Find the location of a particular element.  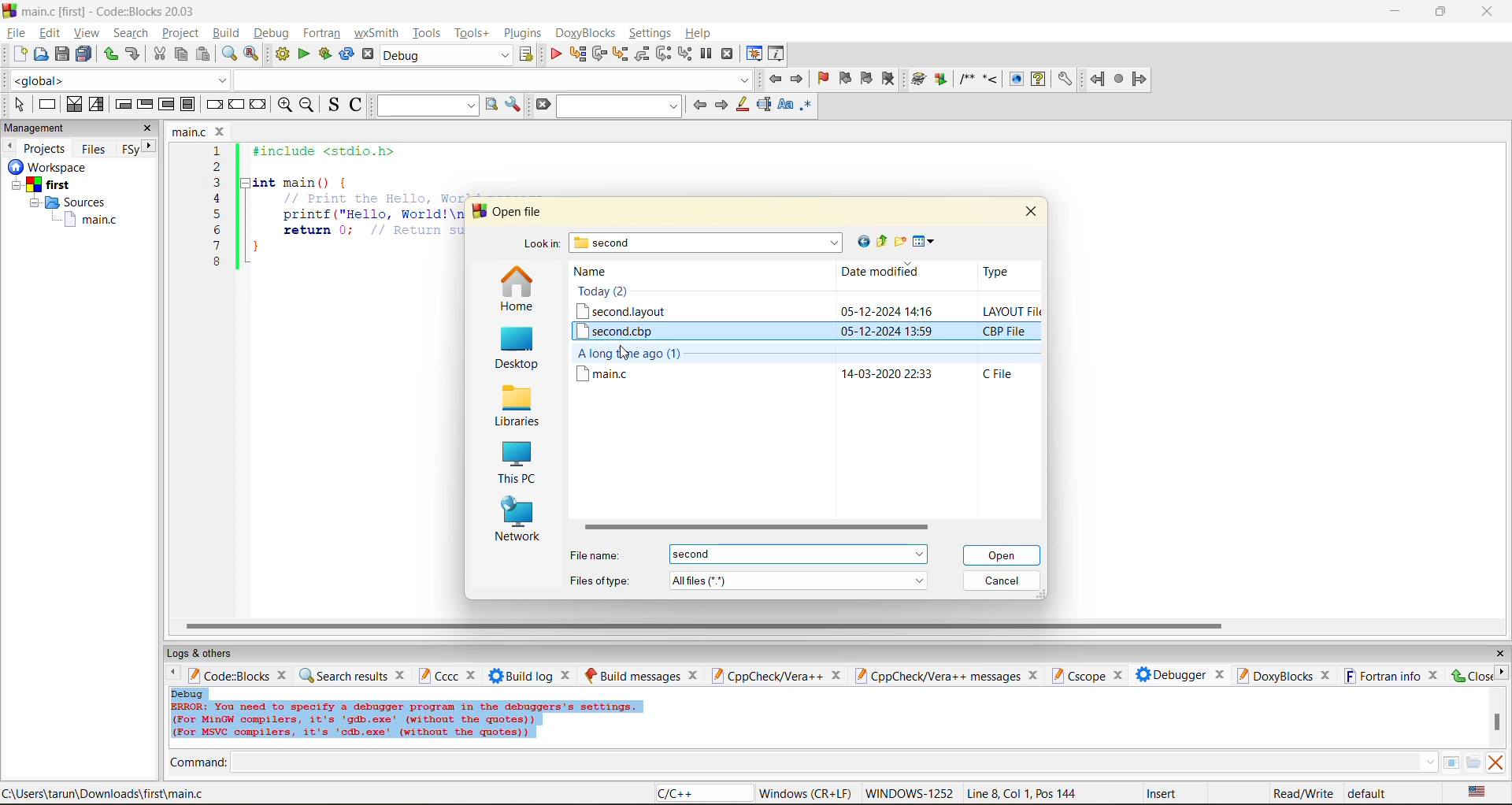

main.c file is located at coordinates (609, 373).